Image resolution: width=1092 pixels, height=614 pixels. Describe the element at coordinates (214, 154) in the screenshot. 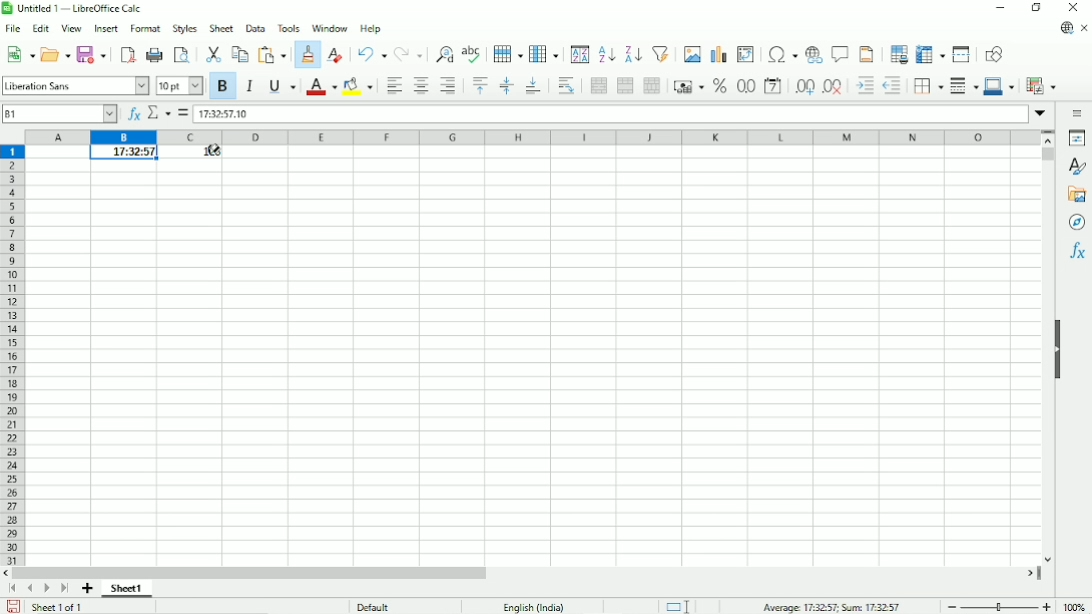

I see `cursor` at that location.